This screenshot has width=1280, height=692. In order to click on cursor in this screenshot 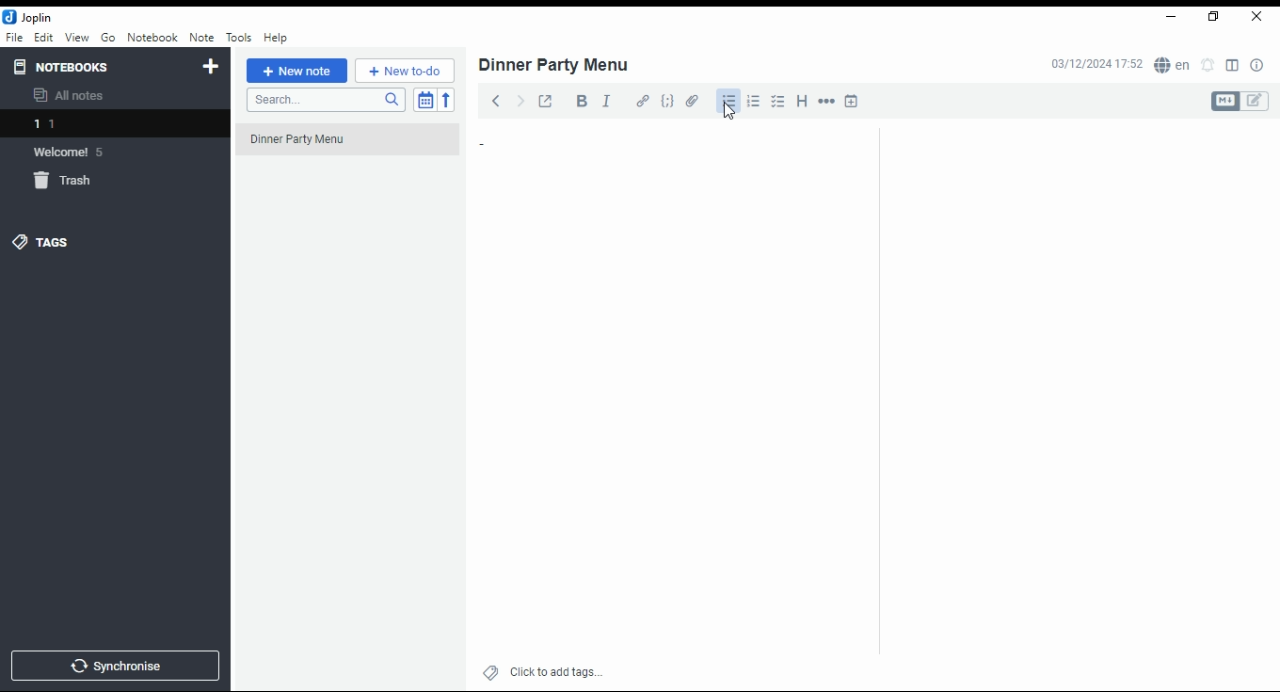, I will do `click(729, 114)`.